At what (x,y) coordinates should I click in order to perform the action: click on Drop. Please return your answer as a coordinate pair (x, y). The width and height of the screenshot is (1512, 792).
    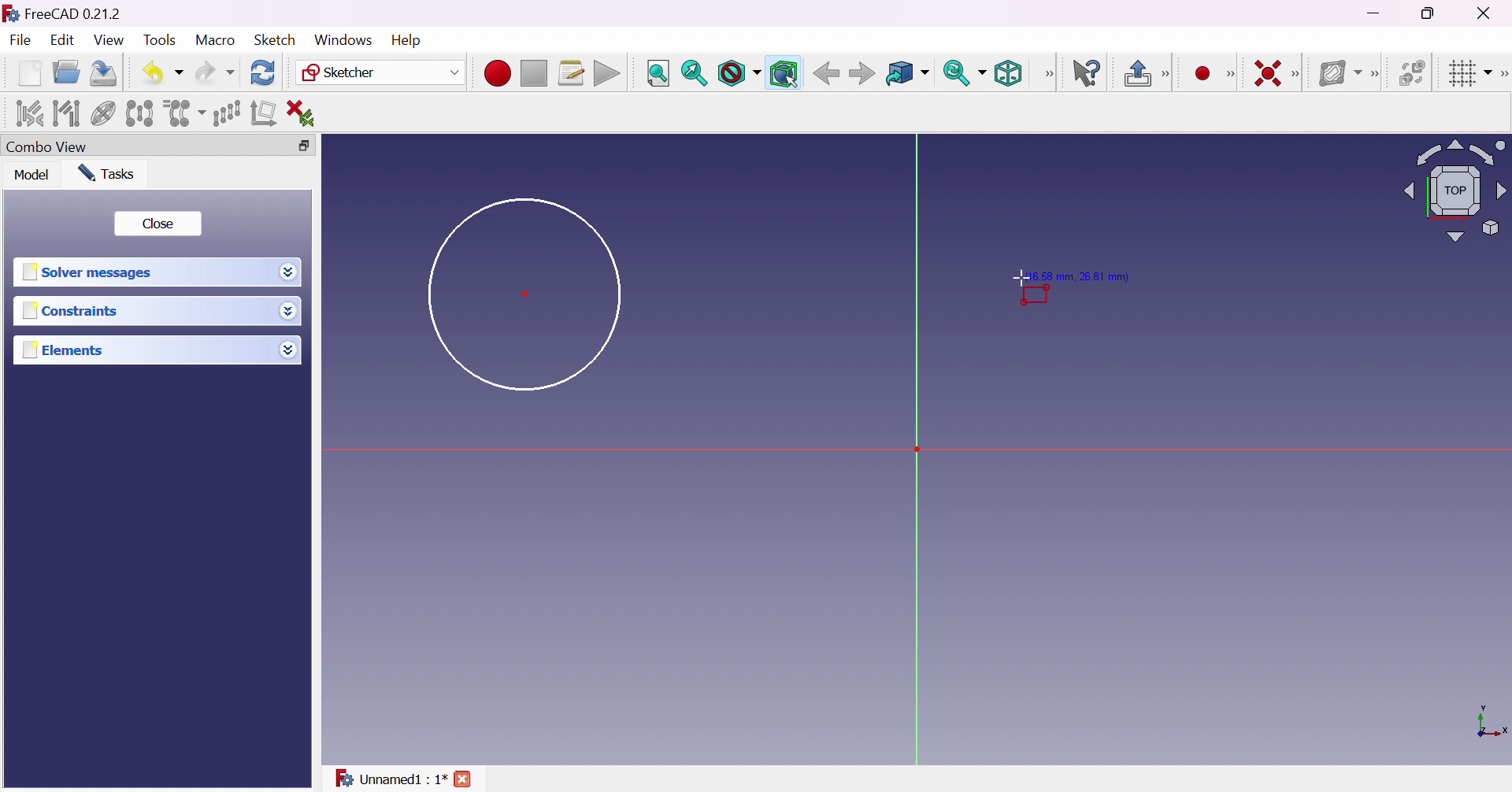
    Looking at the image, I should click on (291, 313).